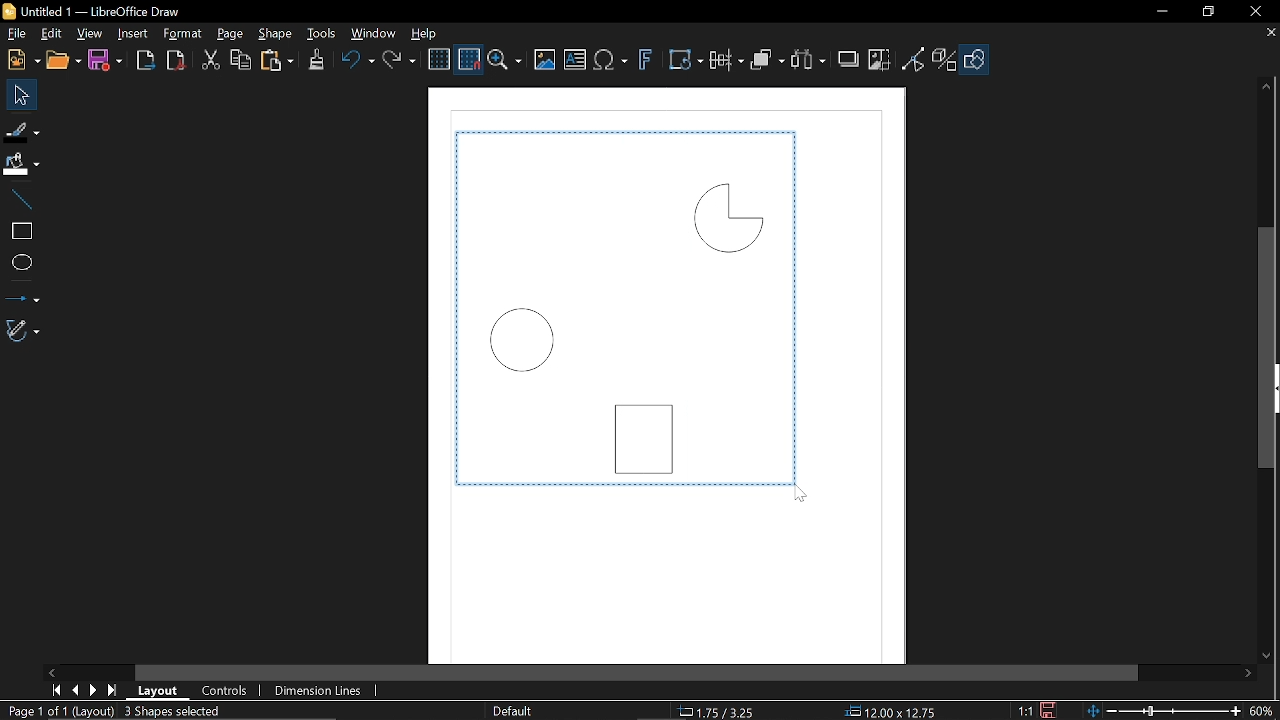  What do you see at coordinates (25, 295) in the screenshot?
I see `Lines and arrows` at bounding box center [25, 295].